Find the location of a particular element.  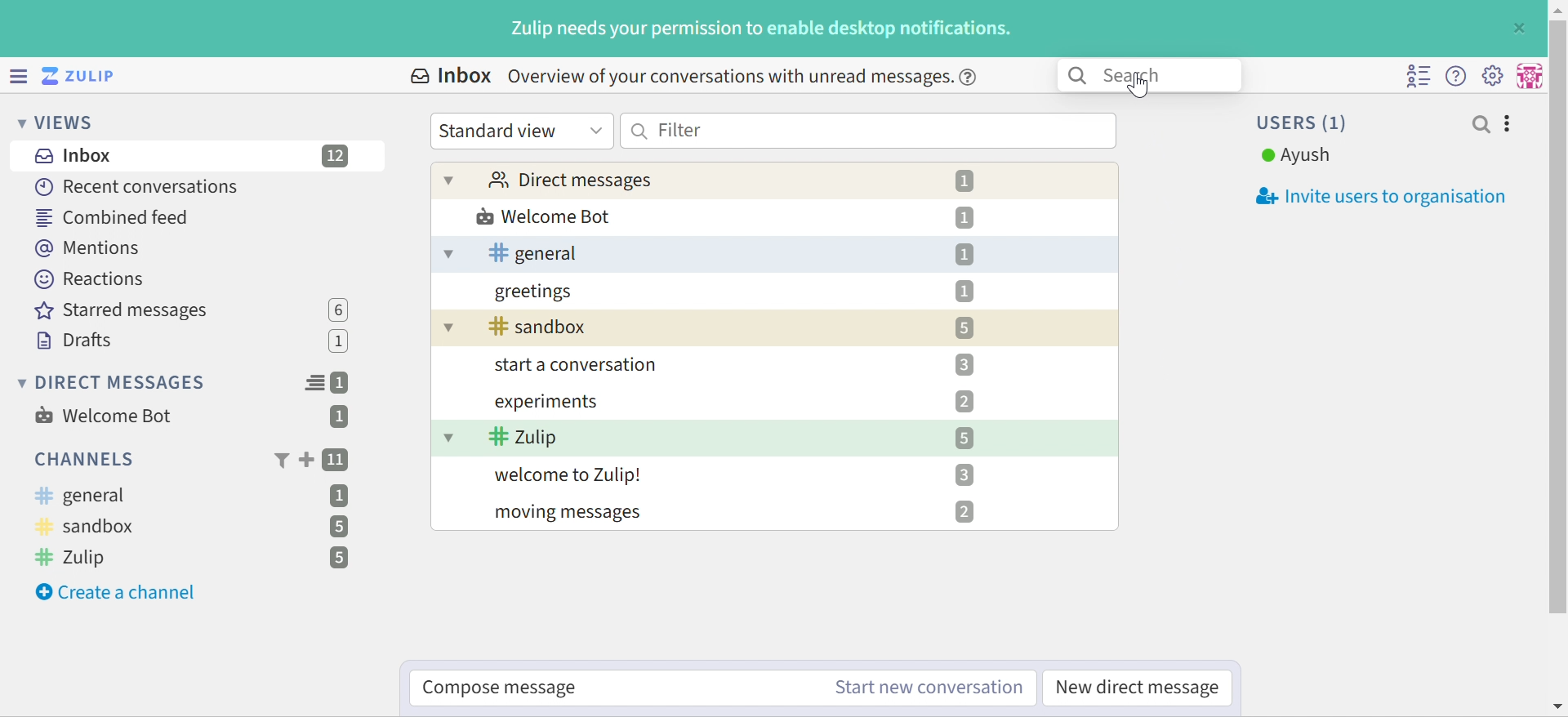

Scroll up is located at coordinates (1557, 10).